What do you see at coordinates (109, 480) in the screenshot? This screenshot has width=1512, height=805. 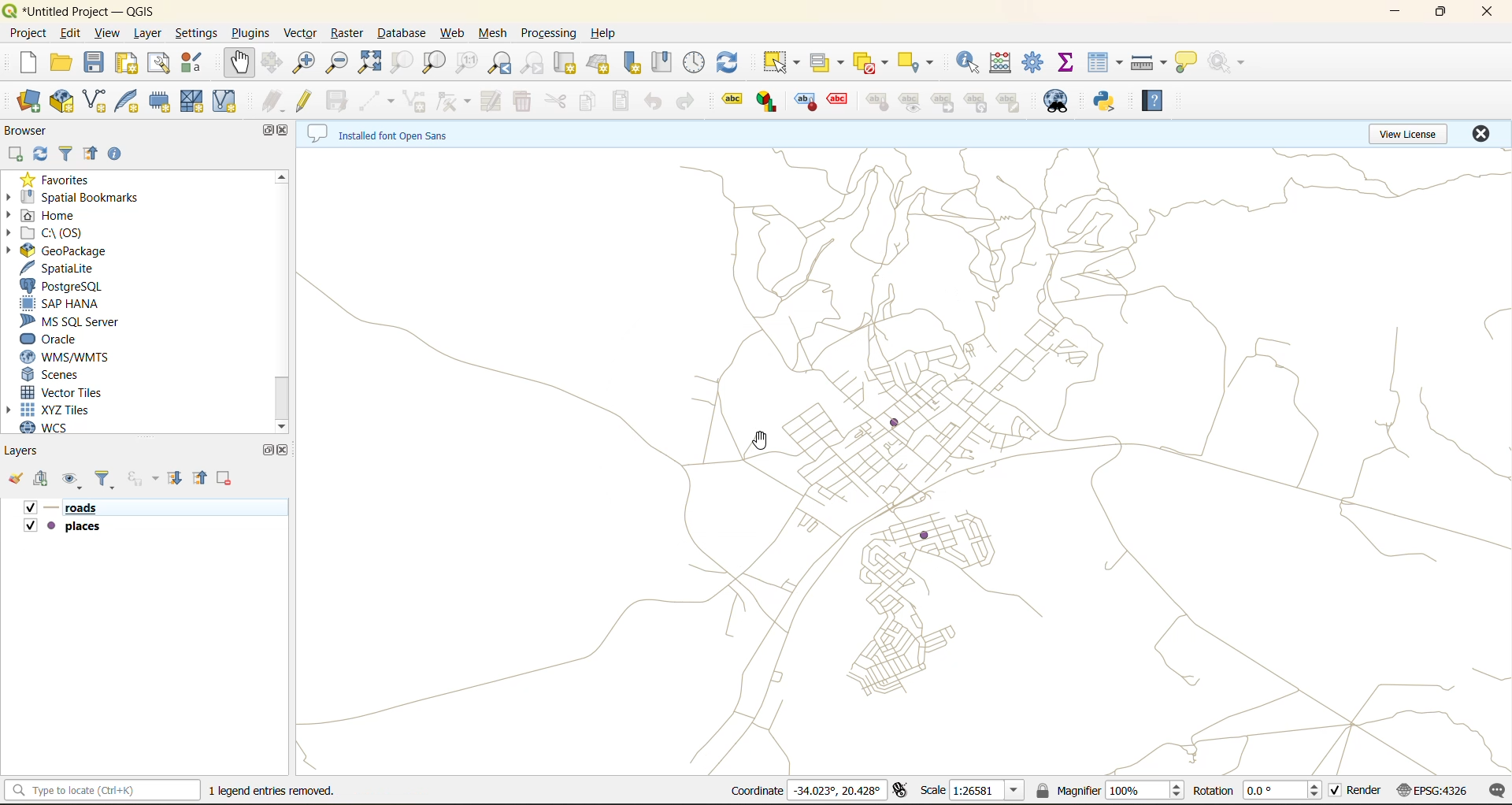 I see `filter` at bounding box center [109, 480].